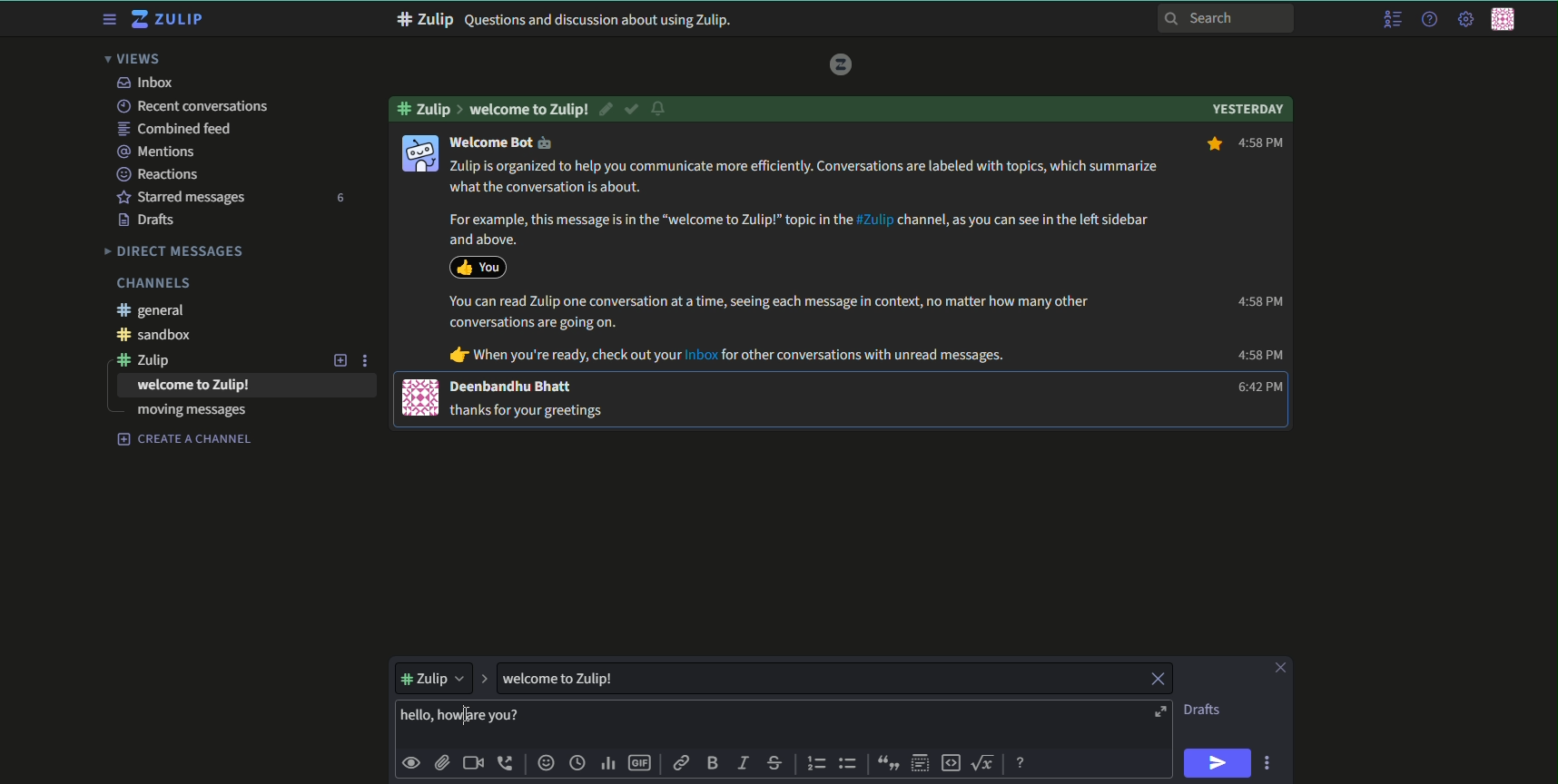 Image resolution: width=1558 pixels, height=784 pixels. What do you see at coordinates (138, 59) in the screenshot?
I see `views` at bounding box center [138, 59].